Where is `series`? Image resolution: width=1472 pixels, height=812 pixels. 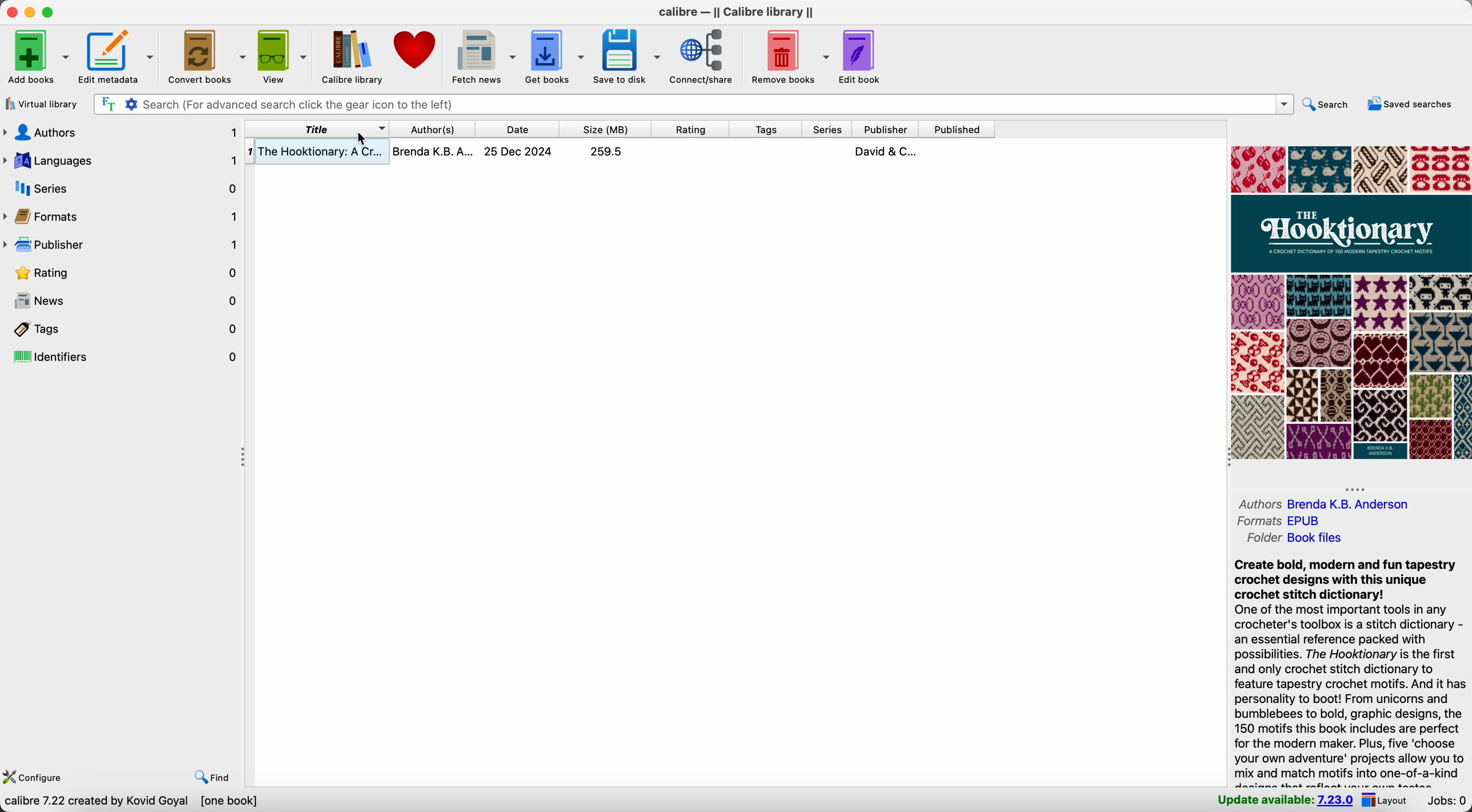
series is located at coordinates (825, 129).